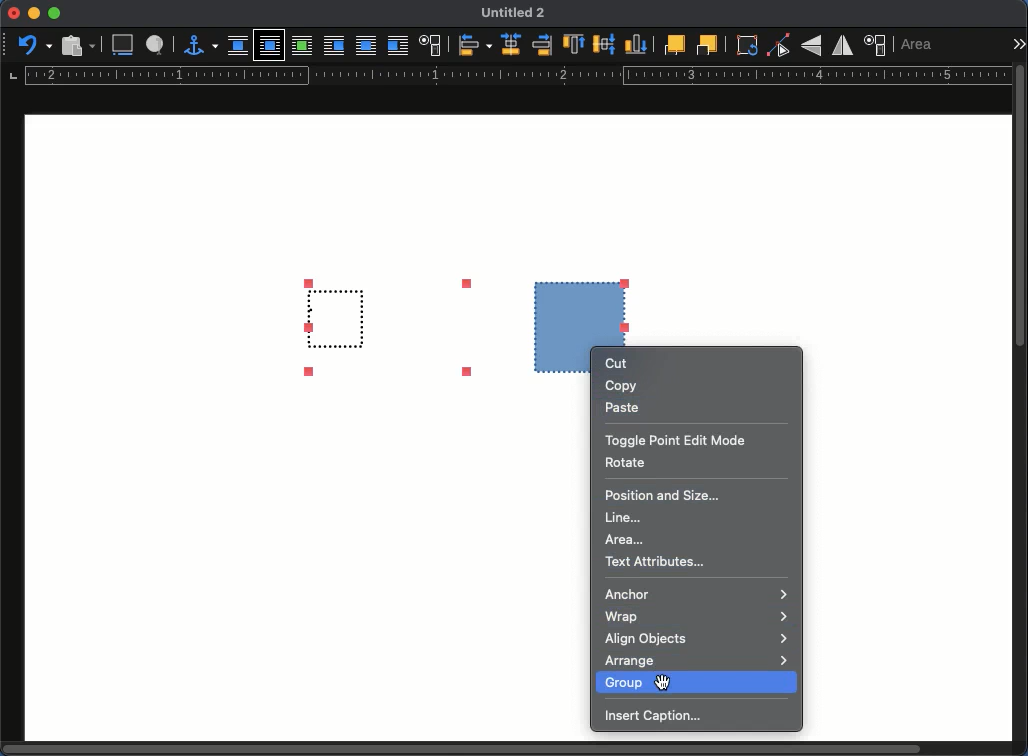 This screenshot has height=756, width=1028. Describe the element at coordinates (334, 46) in the screenshot. I see `before` at that location.